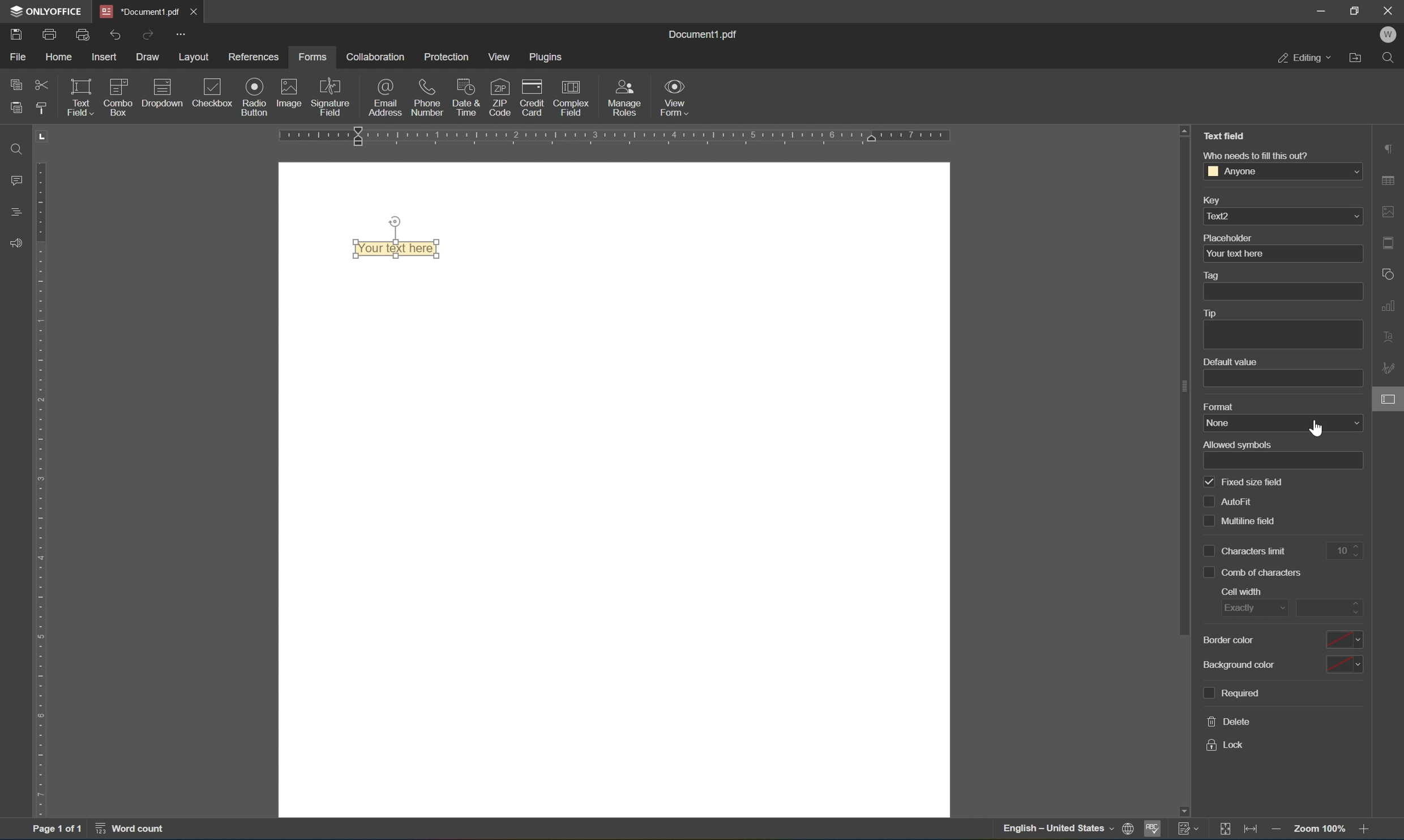 The width and height of the screenshot is (1404, 840). Describe the element at coordinates (1389, 307) in the screenshot. I see `chart settings` at that location.